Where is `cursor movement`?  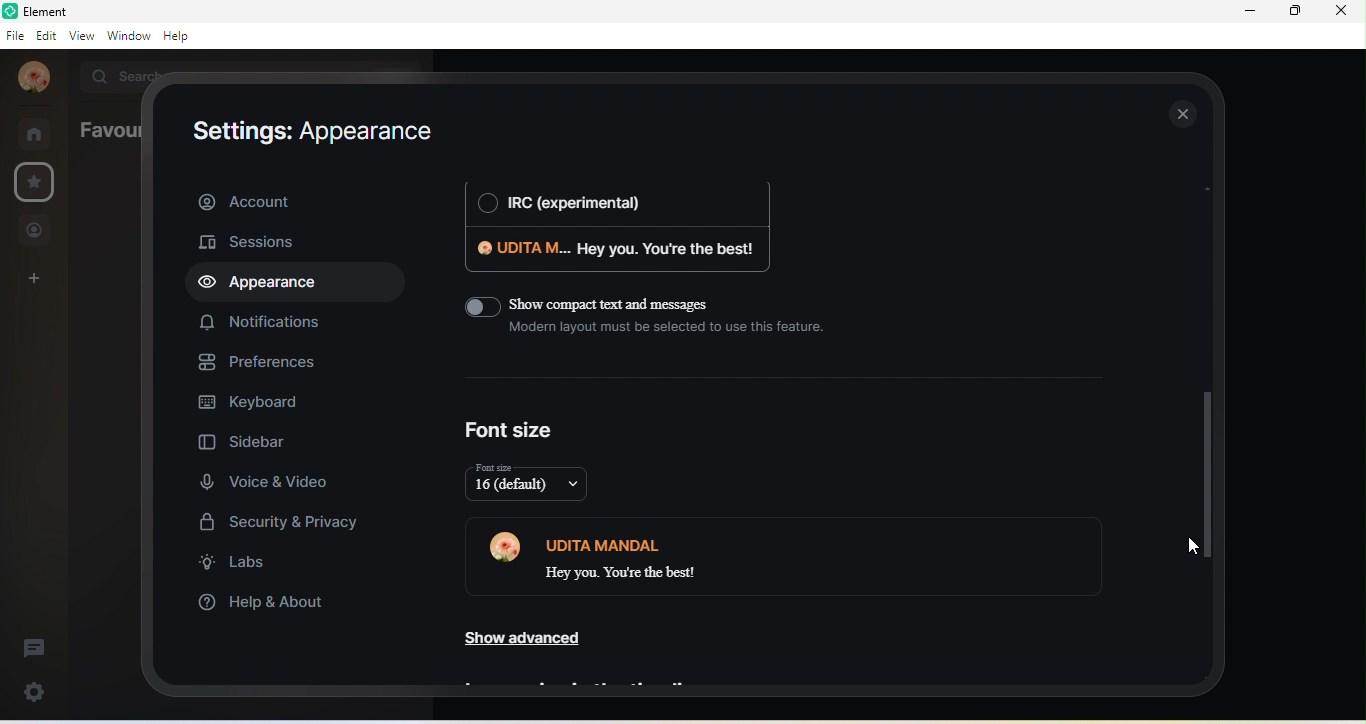 cursor movement is located at coordinates (1187, 549).